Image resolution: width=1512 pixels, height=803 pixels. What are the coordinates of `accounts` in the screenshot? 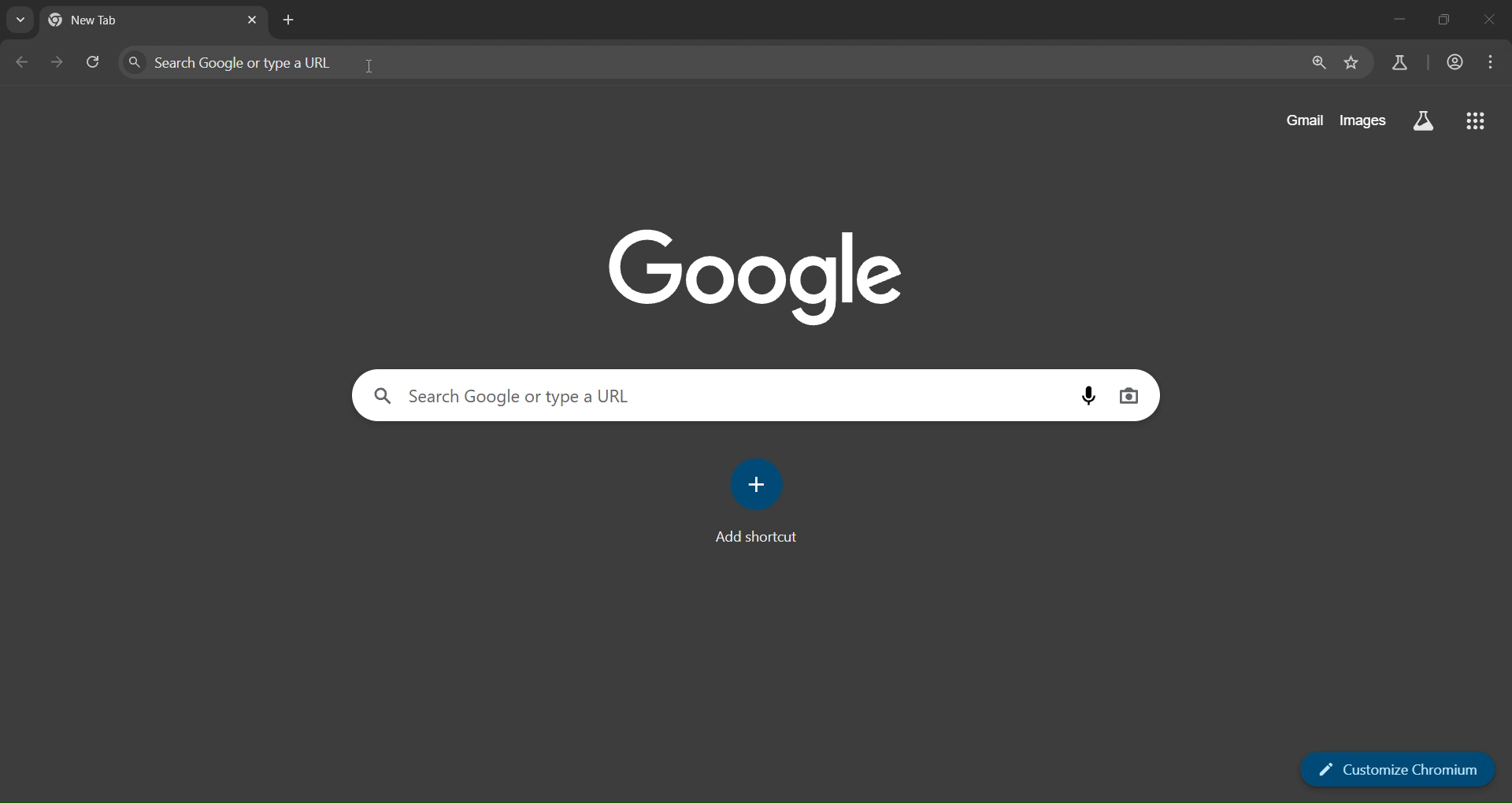 It's located at (1455, 61).